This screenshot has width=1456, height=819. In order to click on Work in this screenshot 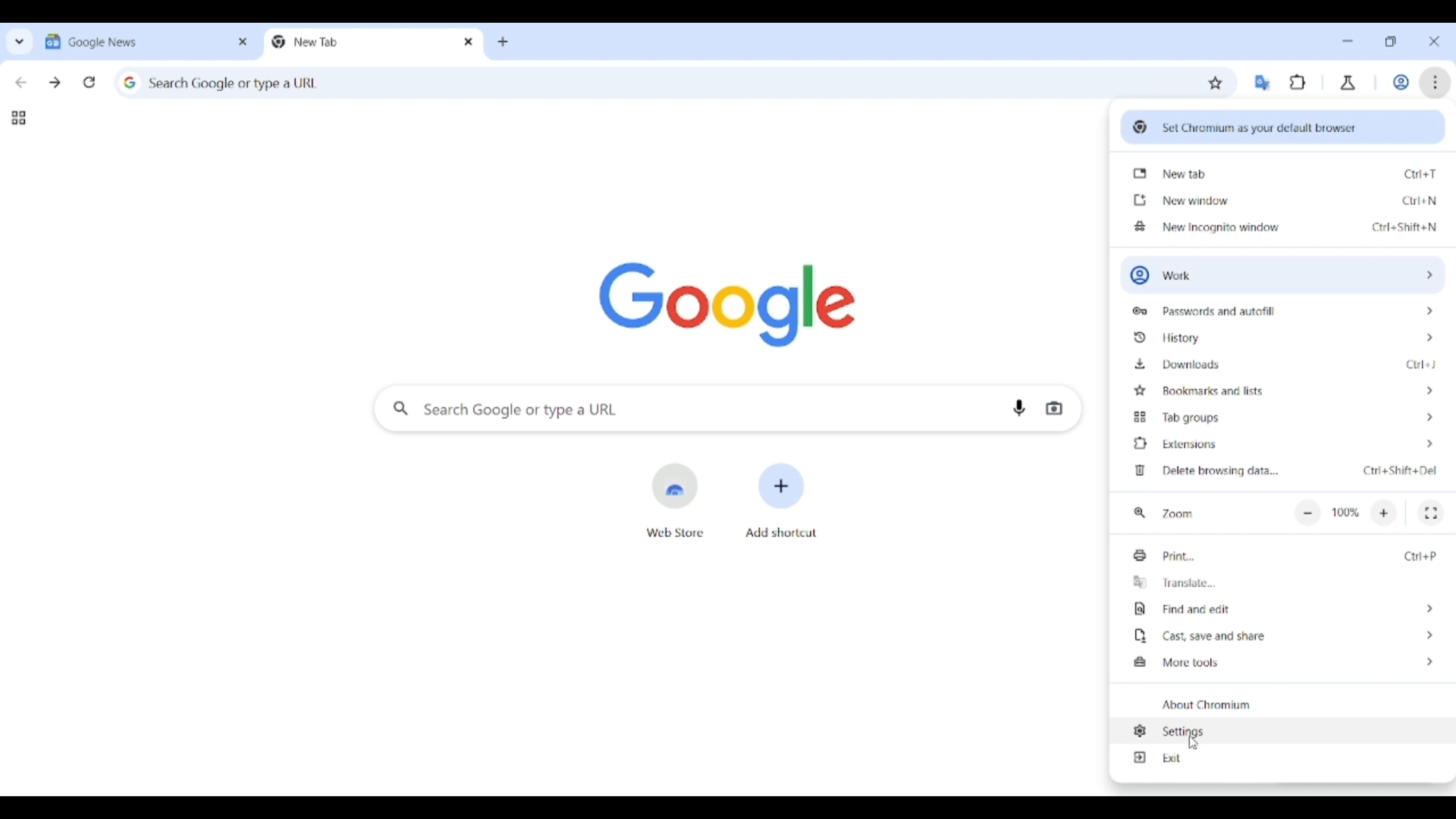, I will do `click(1401, 82)`.